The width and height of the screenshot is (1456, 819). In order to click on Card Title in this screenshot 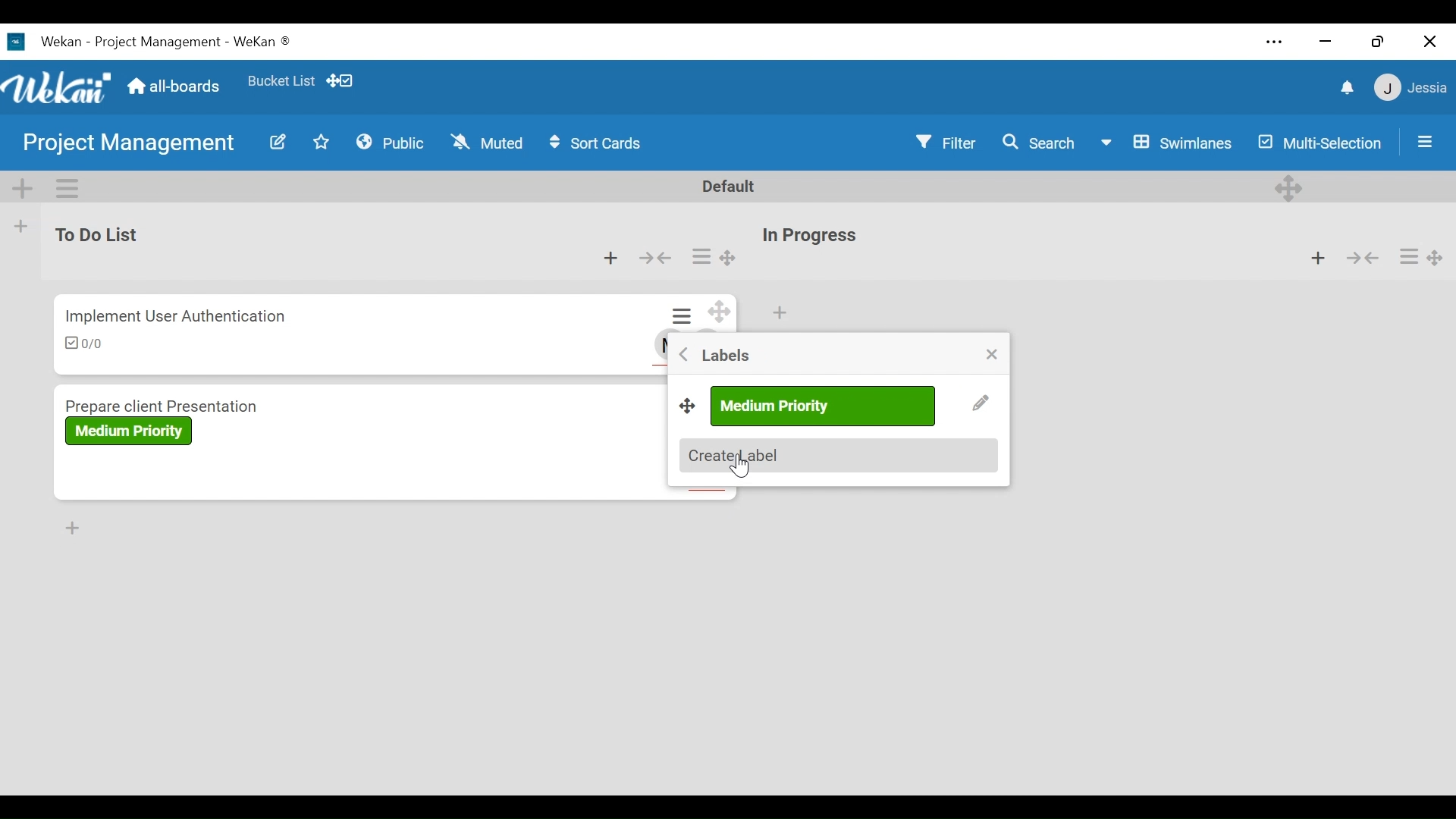, I will do `click(177, 315)`.